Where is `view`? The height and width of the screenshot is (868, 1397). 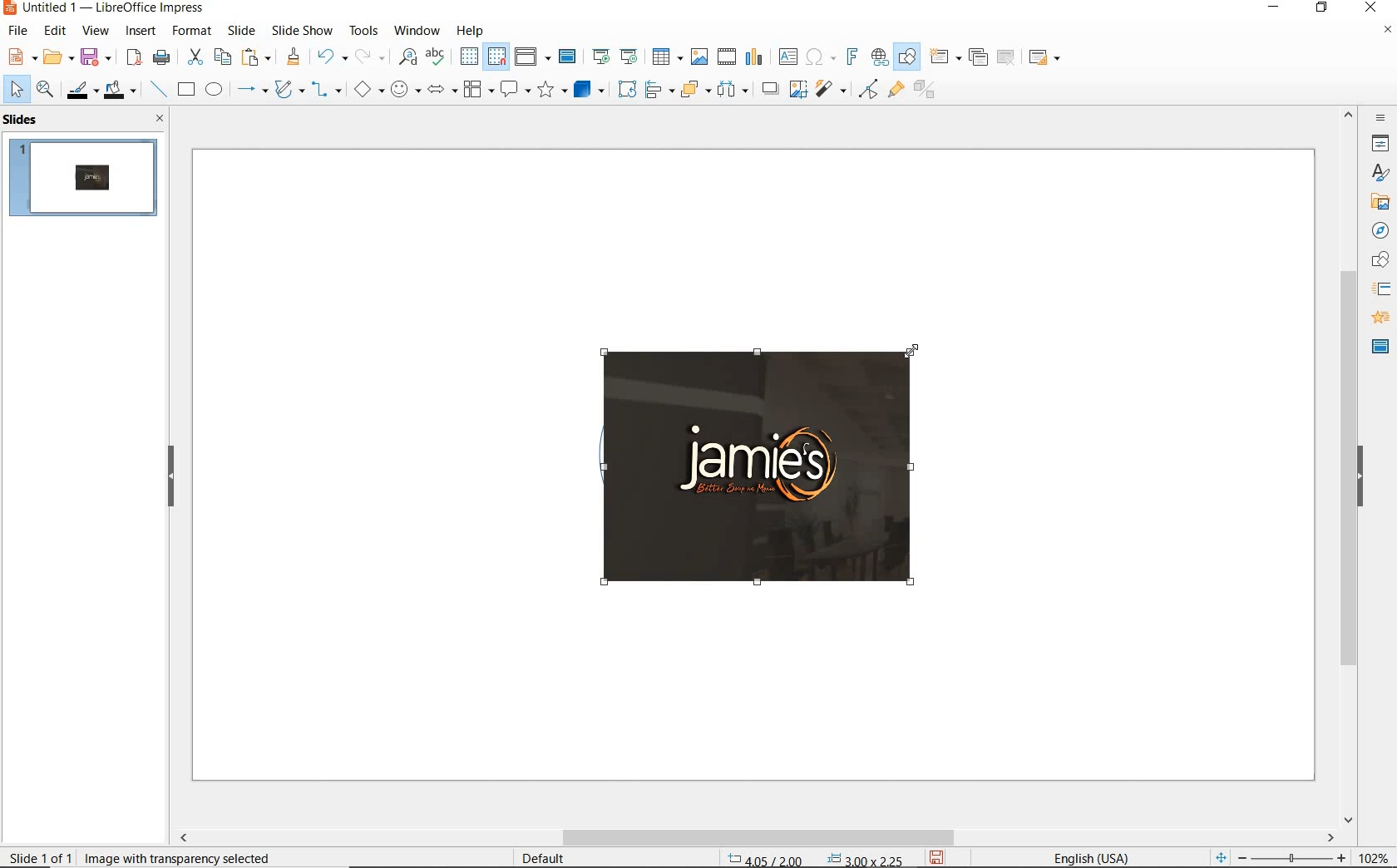
view is located at coordinates (96, 31).